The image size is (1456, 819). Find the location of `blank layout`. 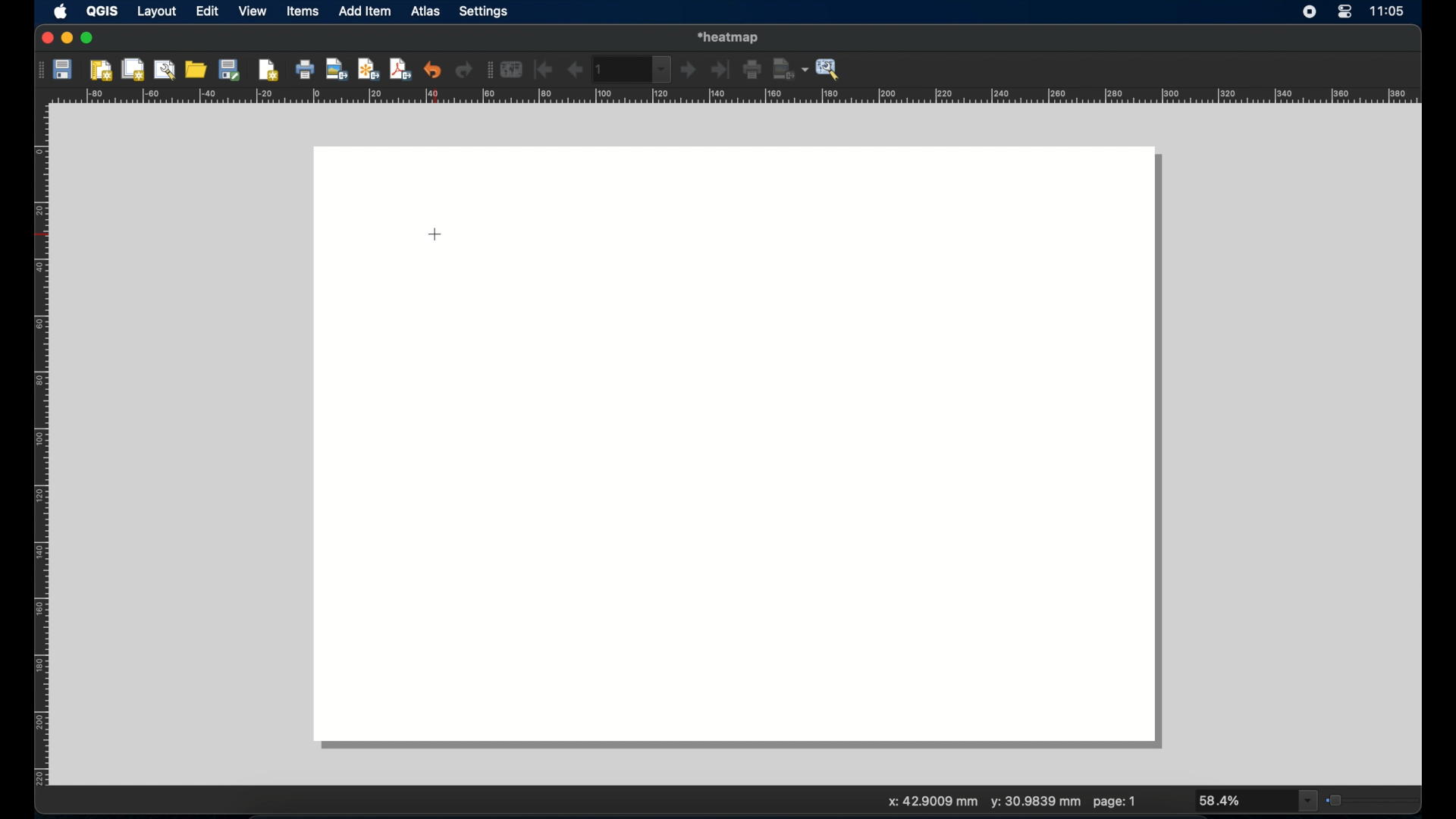

blank layout is located at coordinates (744, 450).